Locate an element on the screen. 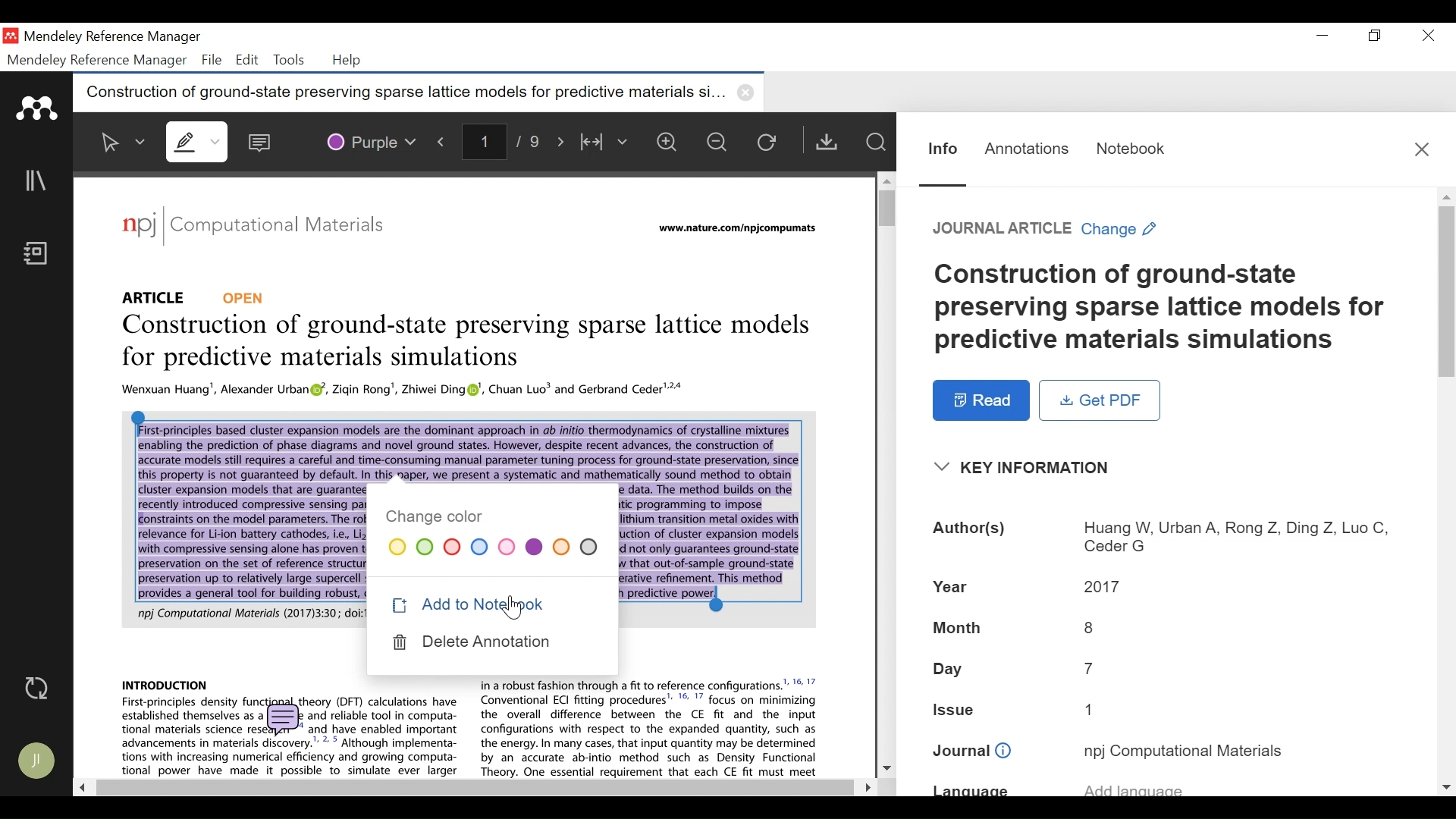 This screenshot has height=819, width=1456. Scroll up is located at coordinates (885, 180).